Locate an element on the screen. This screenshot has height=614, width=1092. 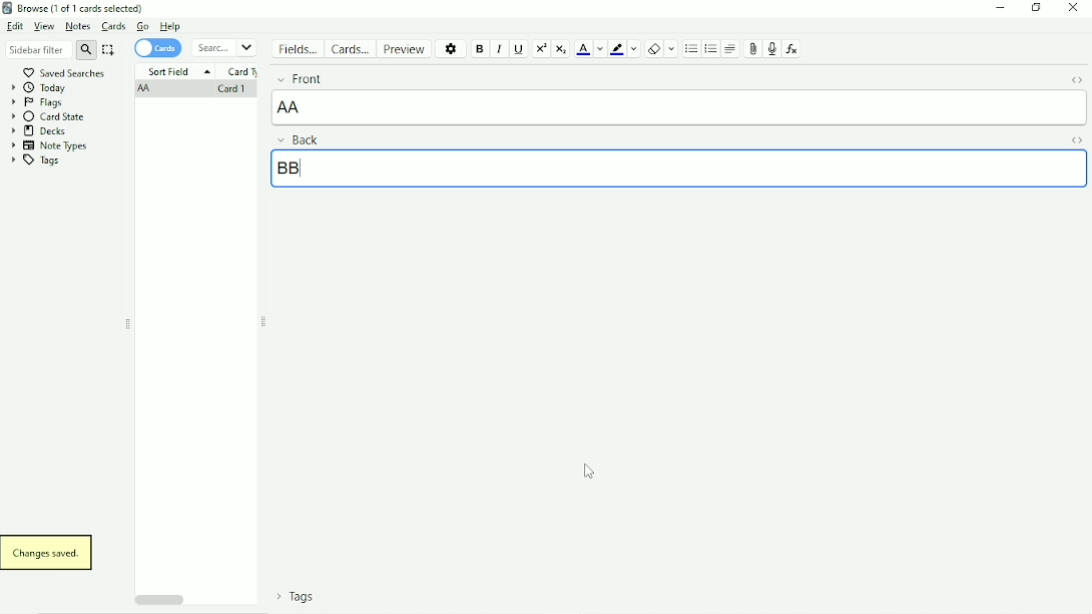
Options is located at coordinates (452, 48).